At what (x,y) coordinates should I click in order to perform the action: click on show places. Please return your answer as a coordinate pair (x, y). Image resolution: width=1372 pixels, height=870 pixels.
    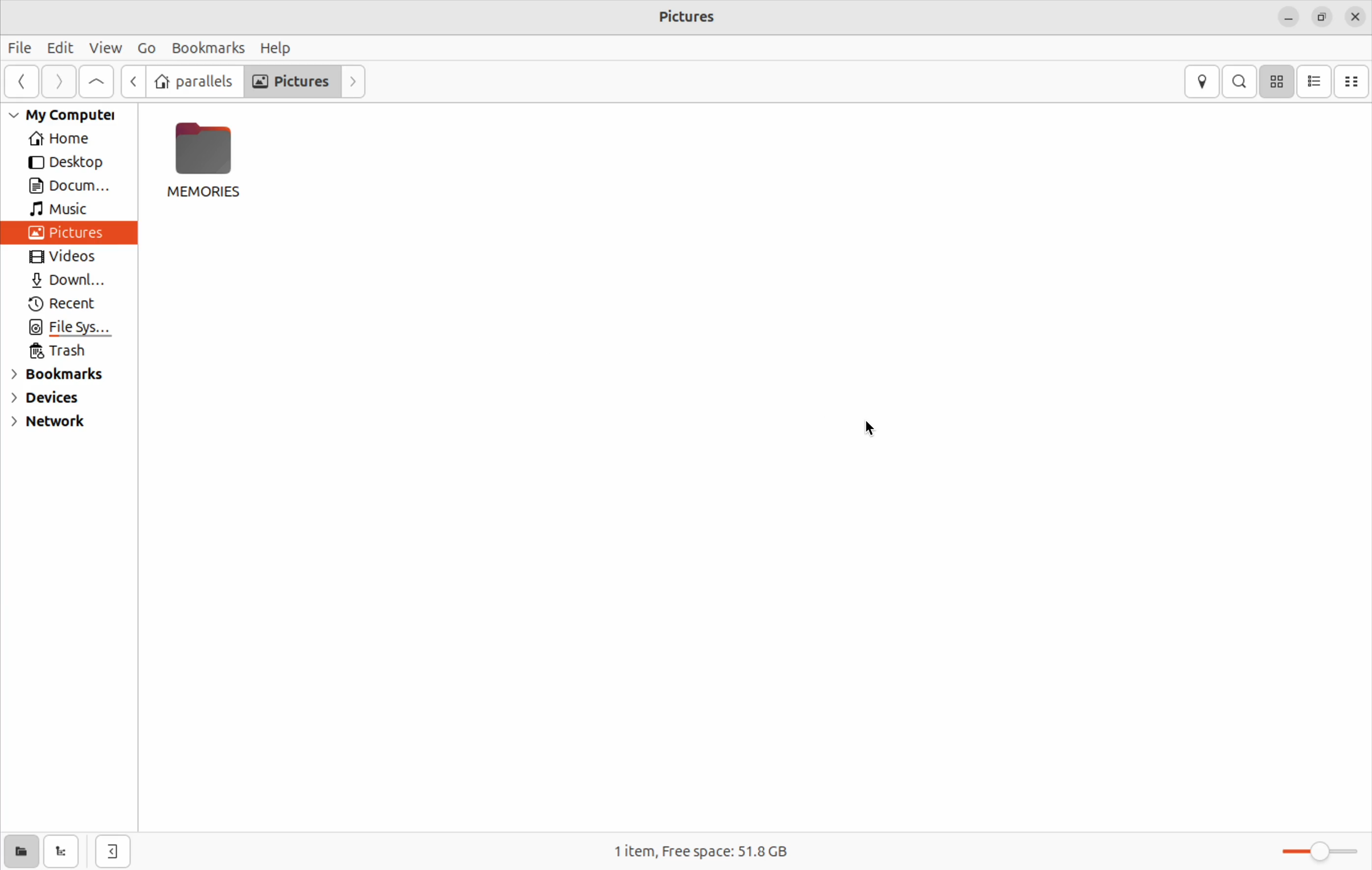
    Looking at the image, I should click on (19, 853).